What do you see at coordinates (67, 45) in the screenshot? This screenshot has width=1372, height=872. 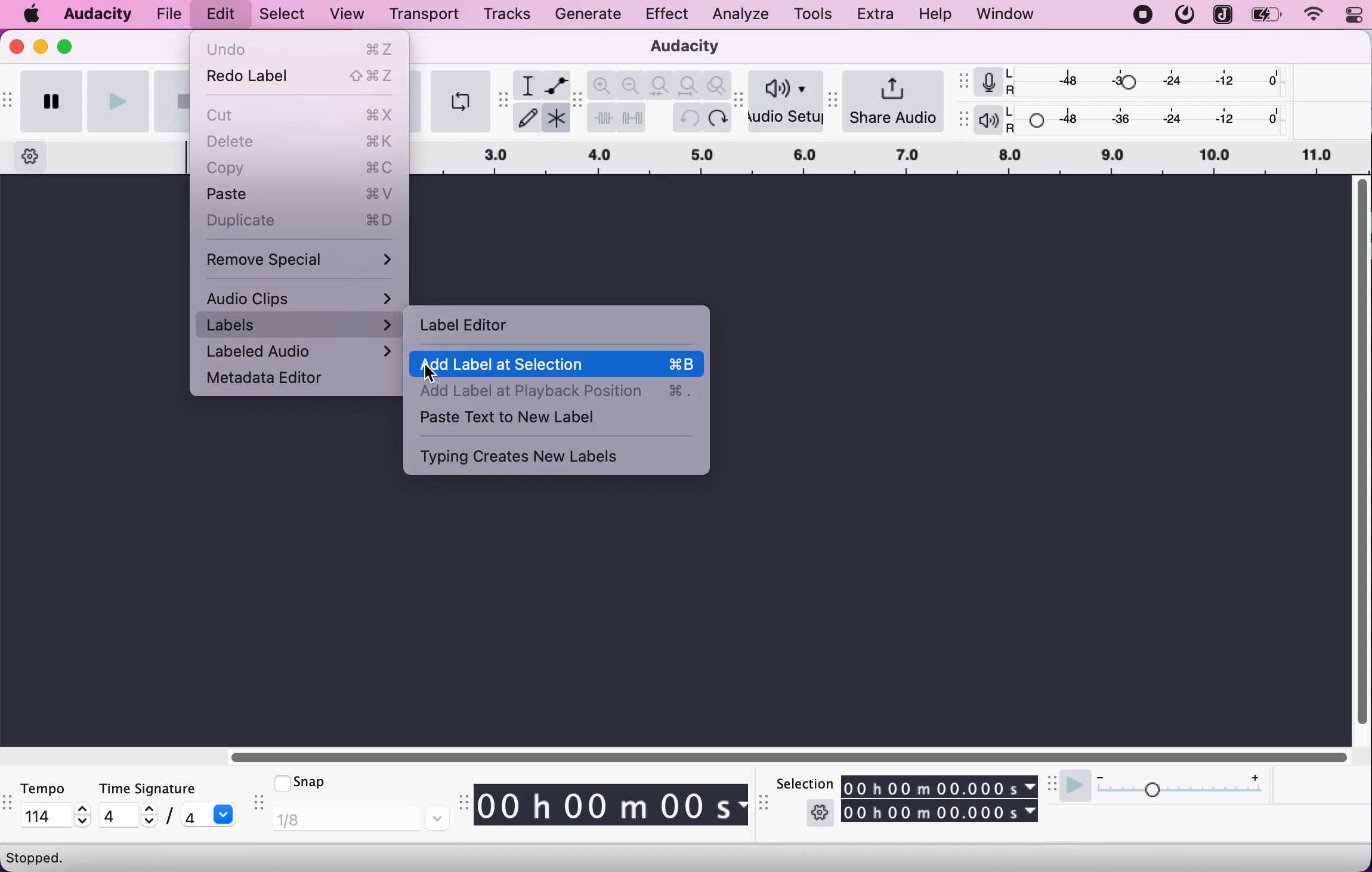 I see `maximize` at bounding box center [67, 45].